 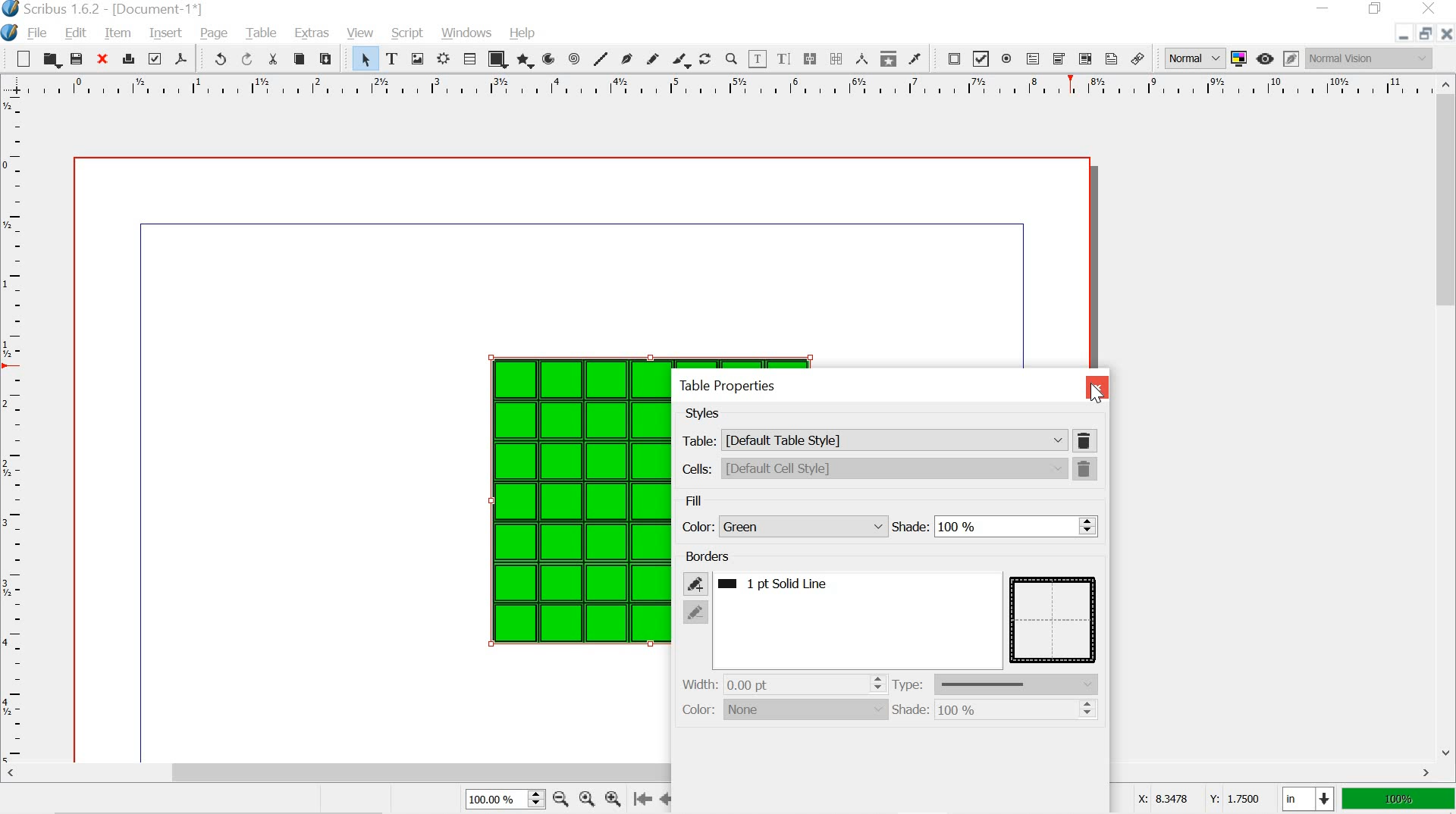 What do you see at coordinates (182, 58) in the screenshot?
I see `save as pdf` at bounding box center [182, 58].